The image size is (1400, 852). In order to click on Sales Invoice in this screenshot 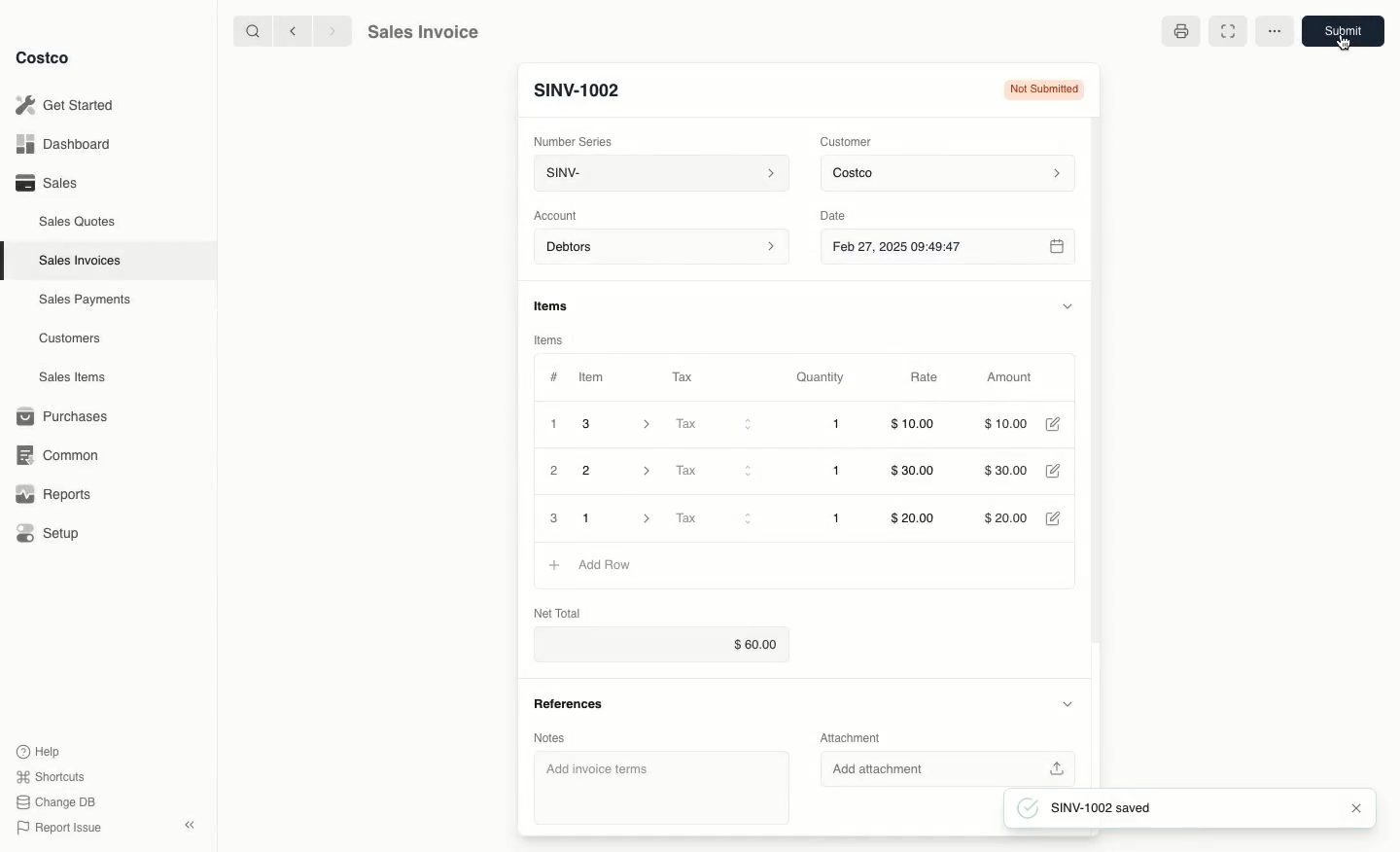, I will do `click(422, 32)`.